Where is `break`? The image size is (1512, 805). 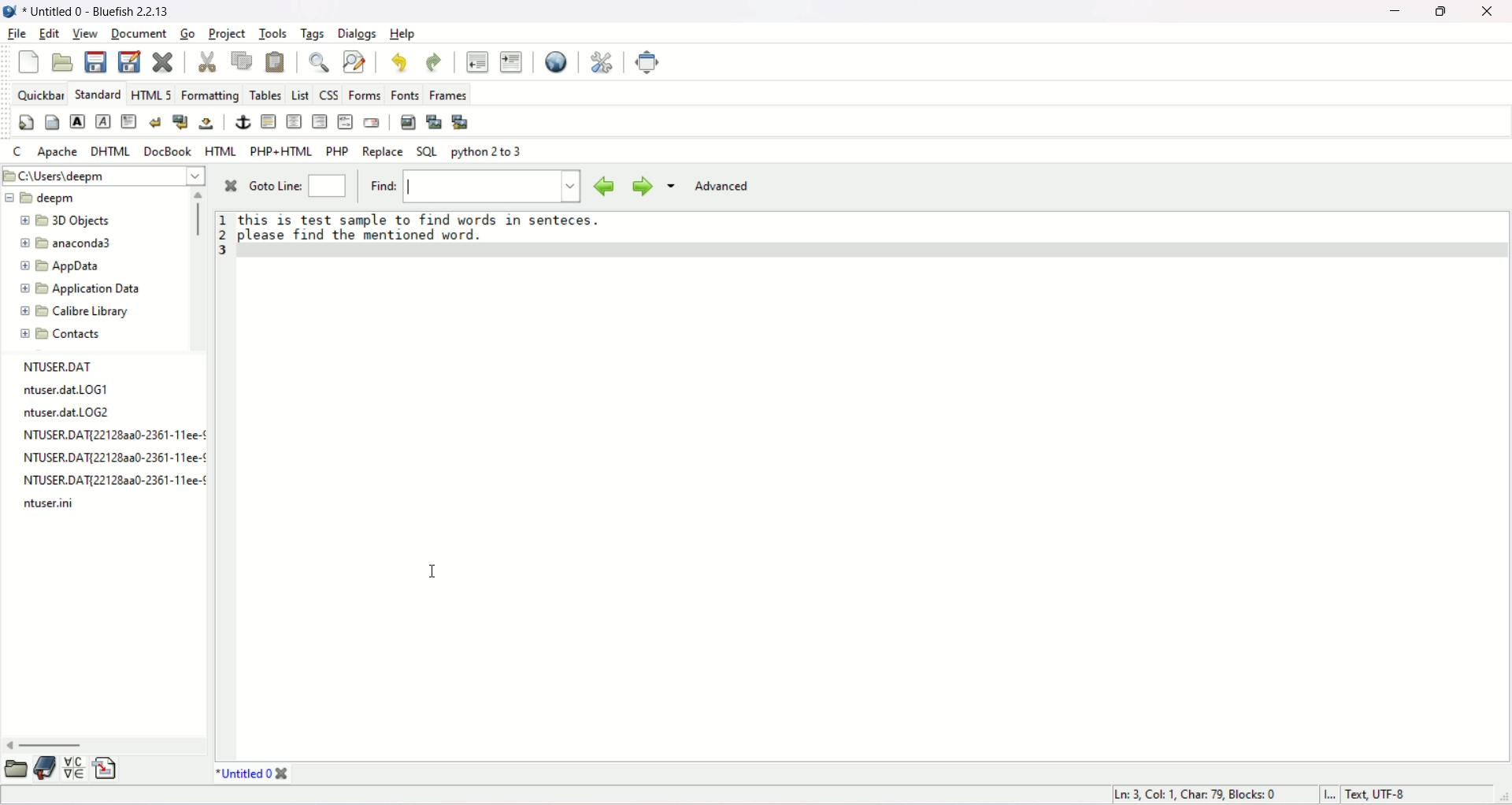 break is located at coordinates (157, 124).